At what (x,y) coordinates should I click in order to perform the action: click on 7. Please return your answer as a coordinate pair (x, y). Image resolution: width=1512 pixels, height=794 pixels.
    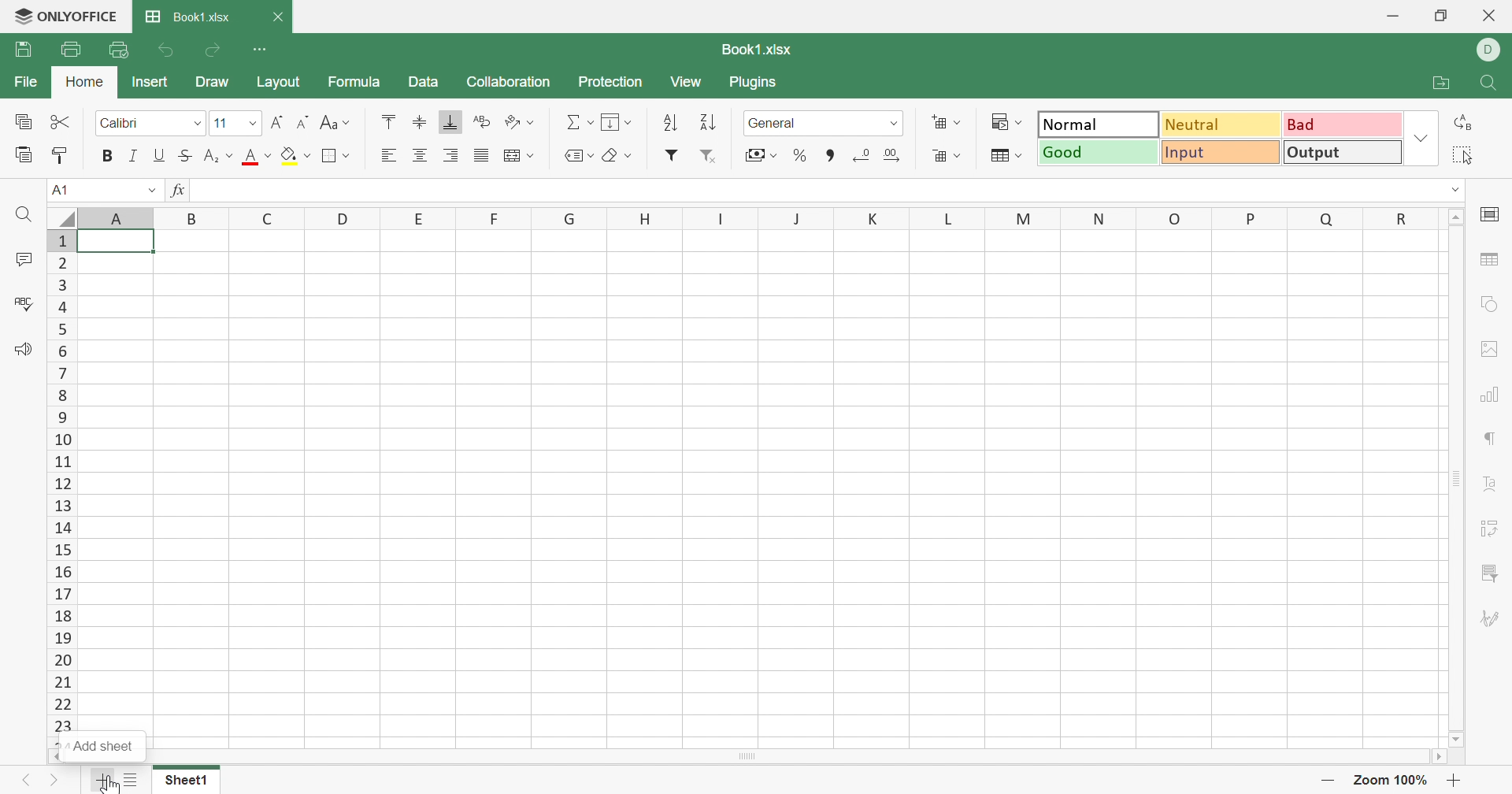
    Looking at the image, I should click on (62, 374).